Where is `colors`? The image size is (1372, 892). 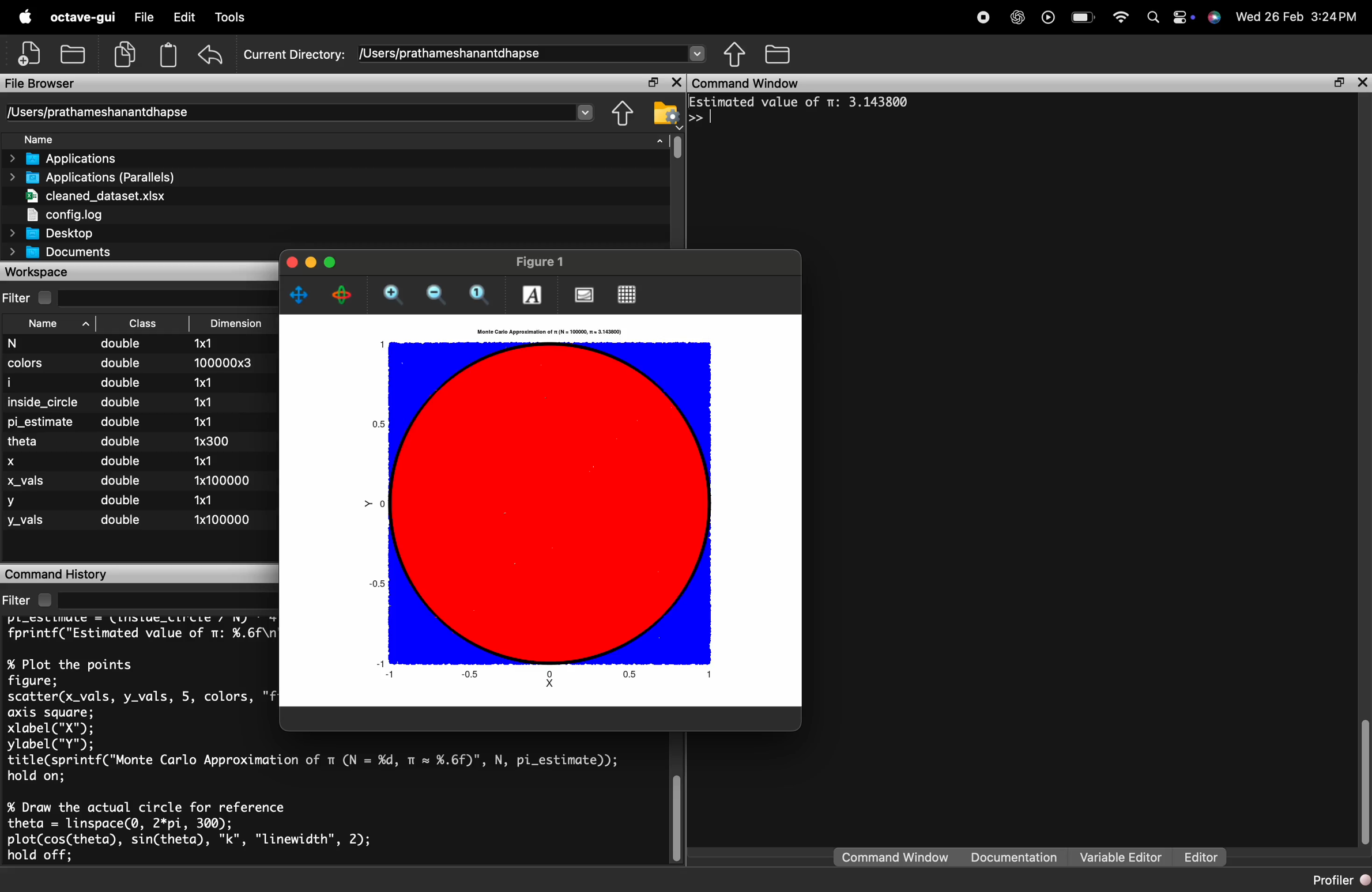
colors is located at coordinates (25, 363).